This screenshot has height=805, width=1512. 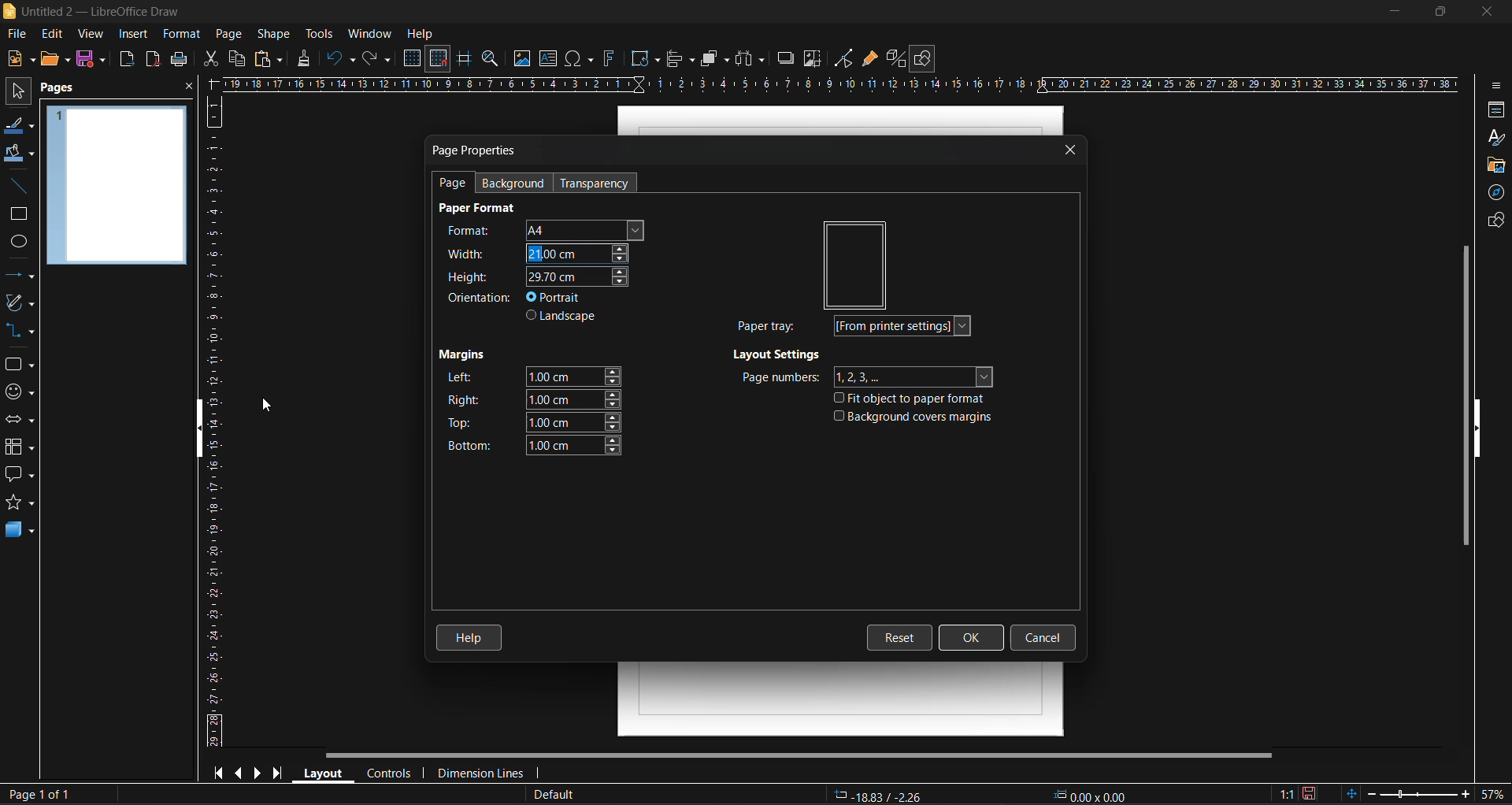 What do you see at coordinates (1436, 13) in the screenshot?
I see `maximize` at bounding box center [1436, 13].